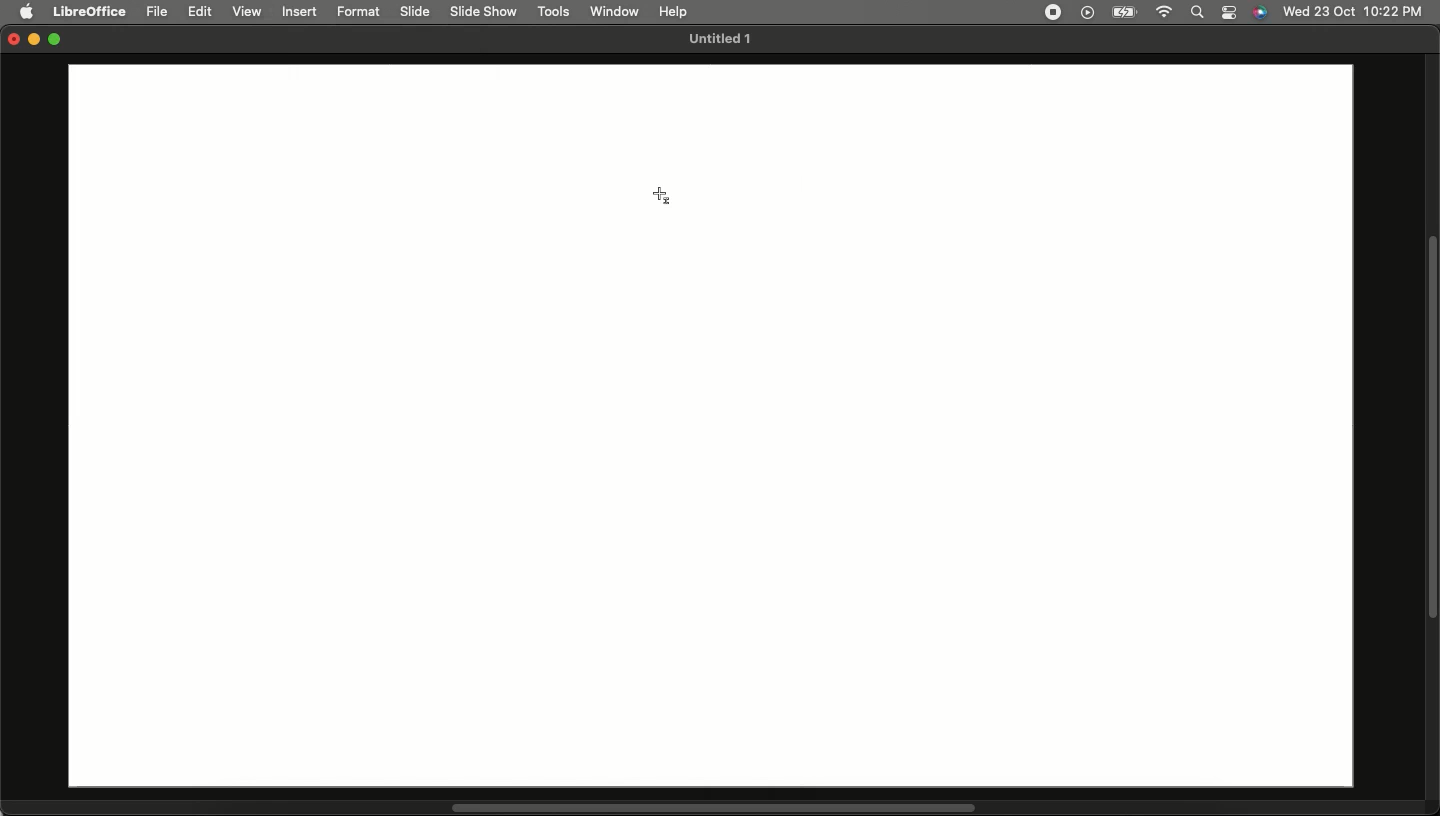 This screenshot has height=816, width=1440. I want to click on Minimize, so click(35, 41).